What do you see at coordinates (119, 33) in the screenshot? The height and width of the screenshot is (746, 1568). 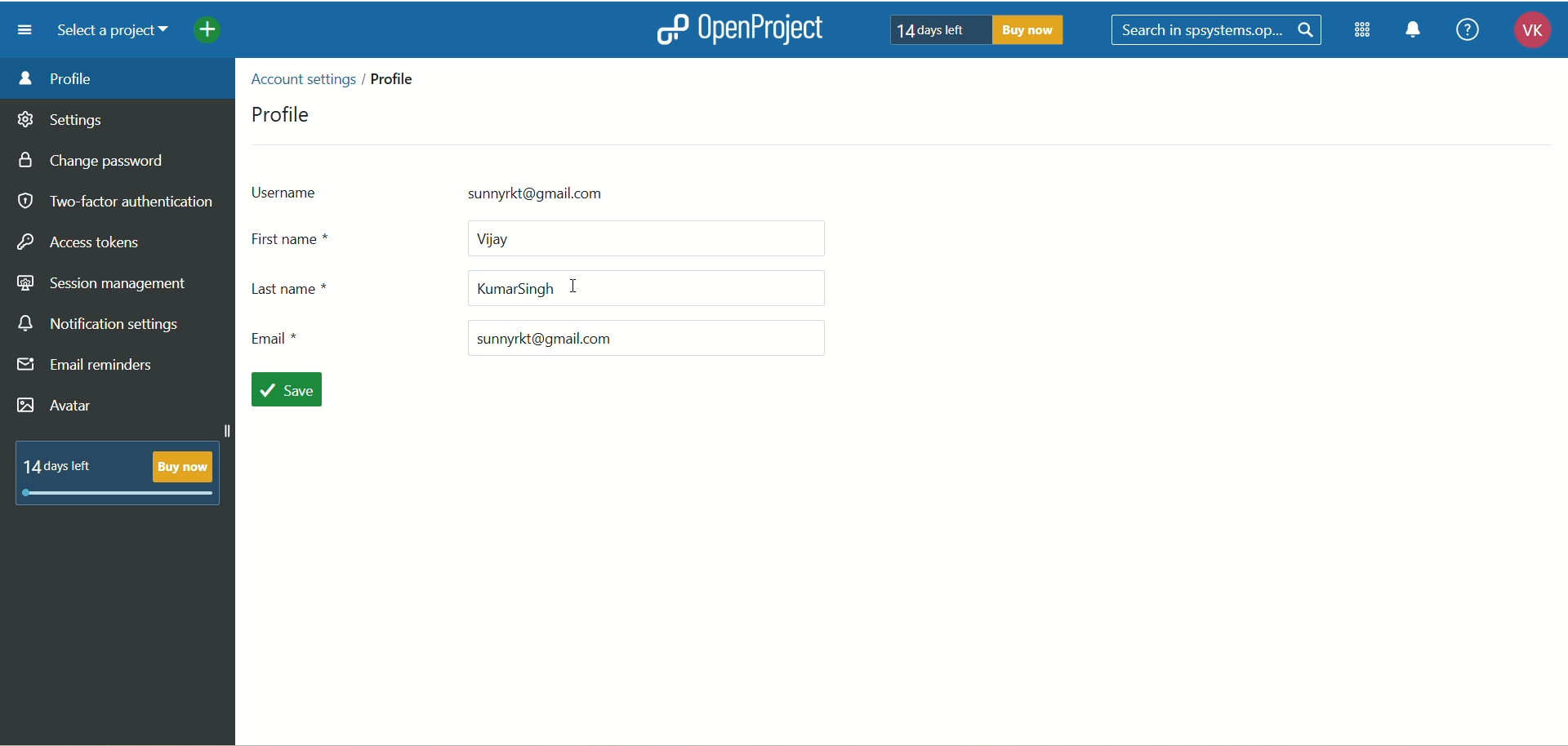 I see `select a project` at bounding box center [119, 33].